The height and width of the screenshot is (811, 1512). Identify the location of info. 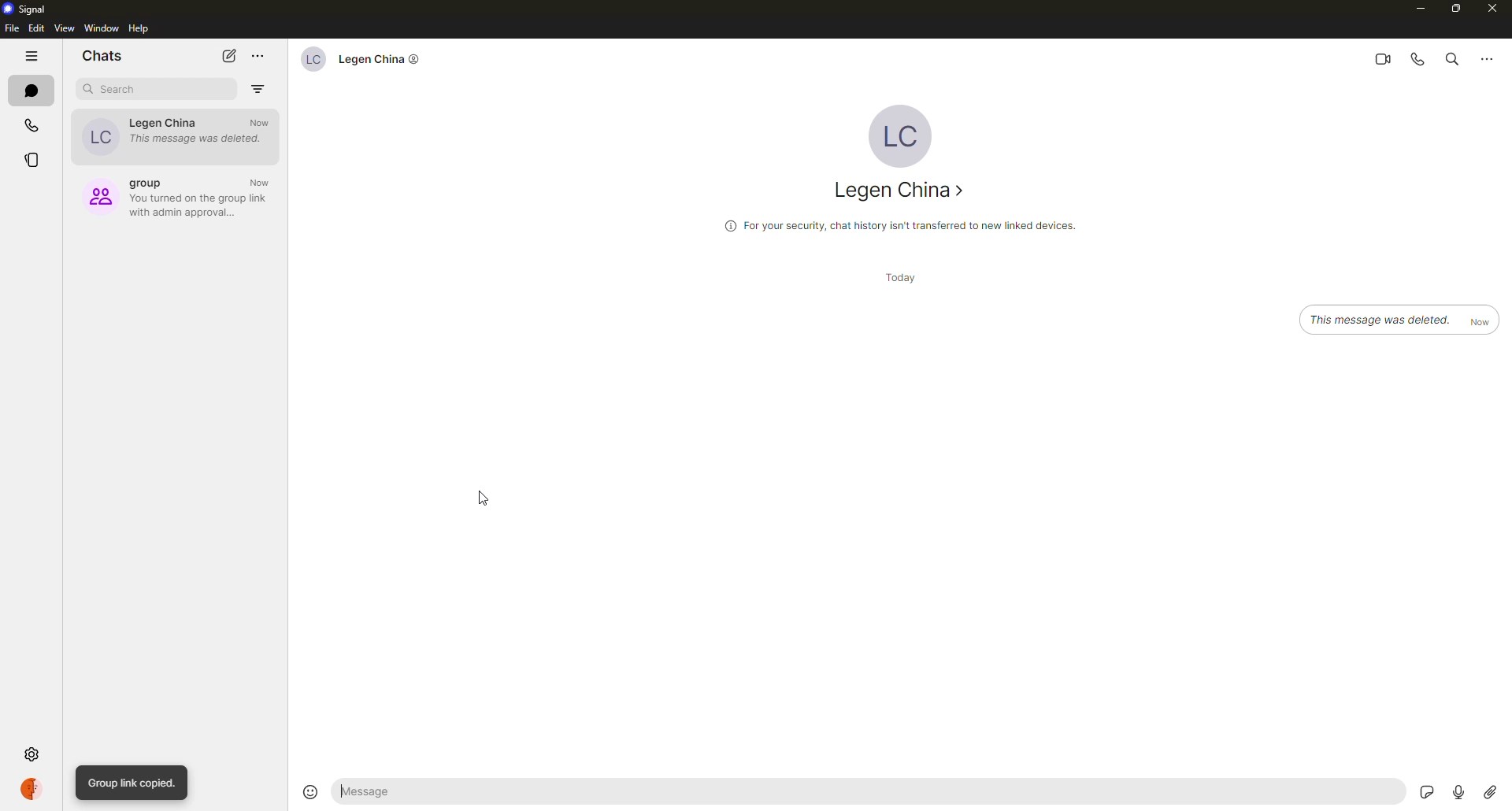
(899, 224).